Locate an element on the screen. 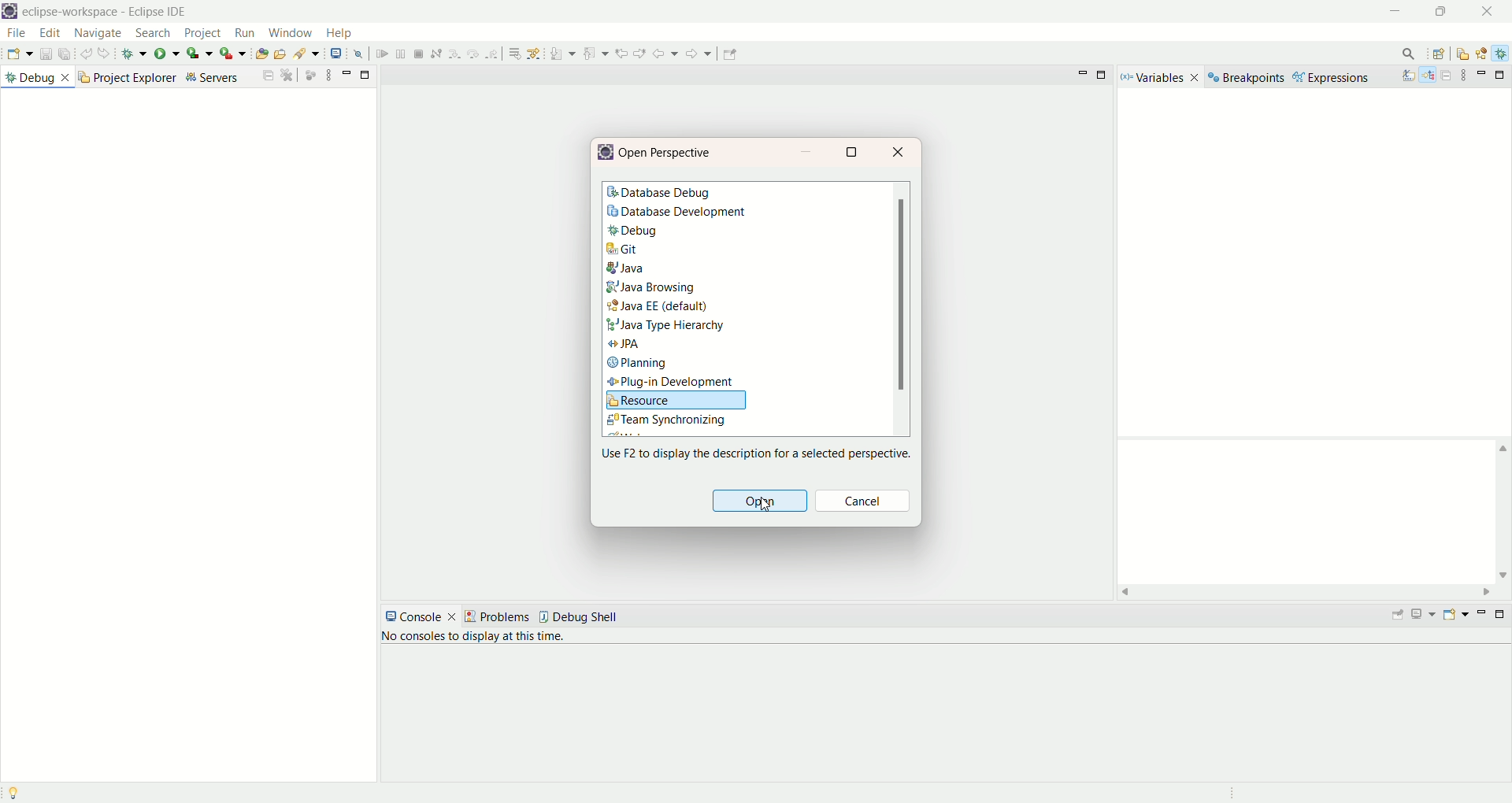 The image size is (1512, 803). minimize is located at coordinates (1482, 612).